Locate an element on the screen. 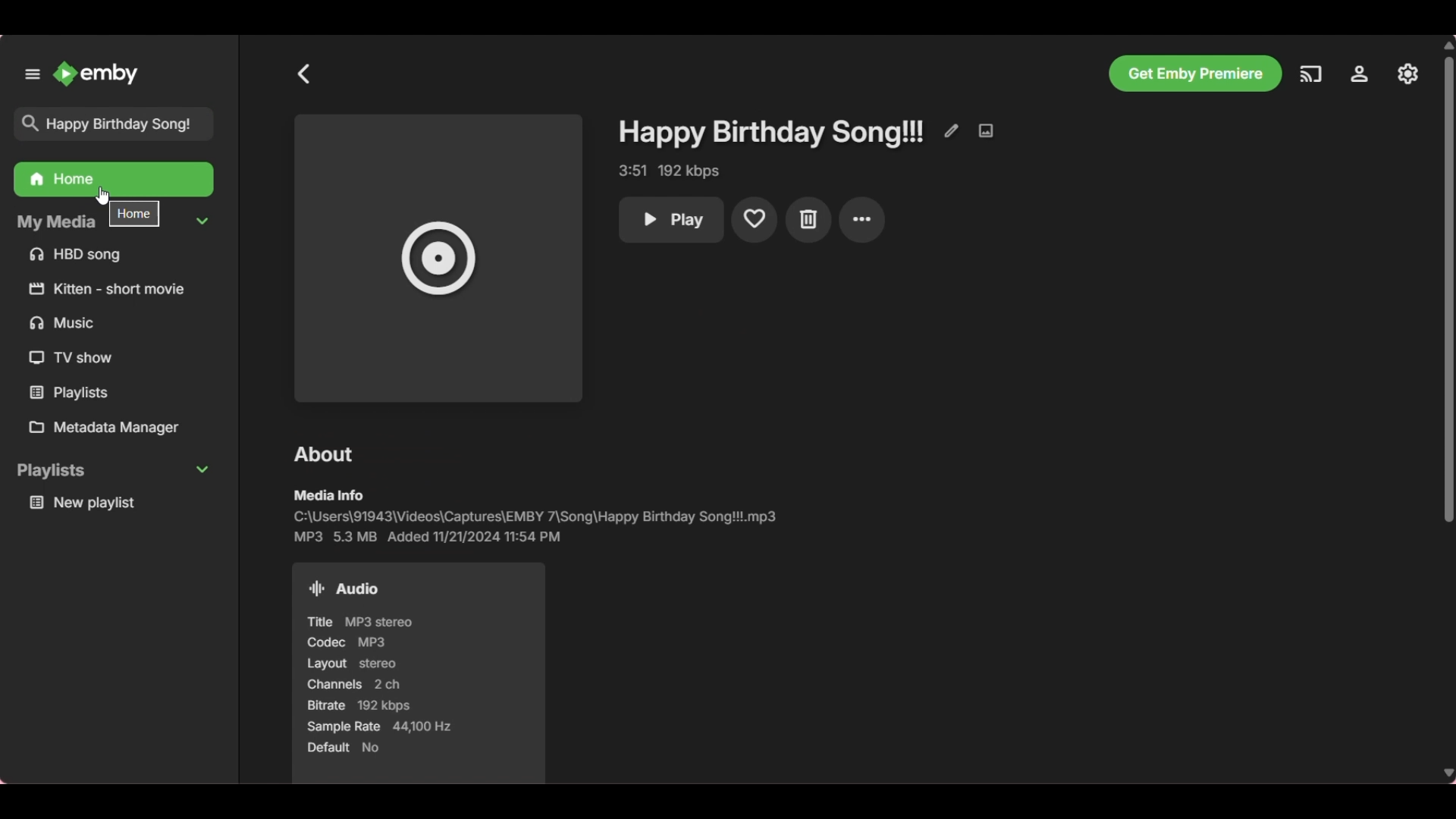 The image size is (1456, 819). Happy birthday song is located at coordinates (108, 124).